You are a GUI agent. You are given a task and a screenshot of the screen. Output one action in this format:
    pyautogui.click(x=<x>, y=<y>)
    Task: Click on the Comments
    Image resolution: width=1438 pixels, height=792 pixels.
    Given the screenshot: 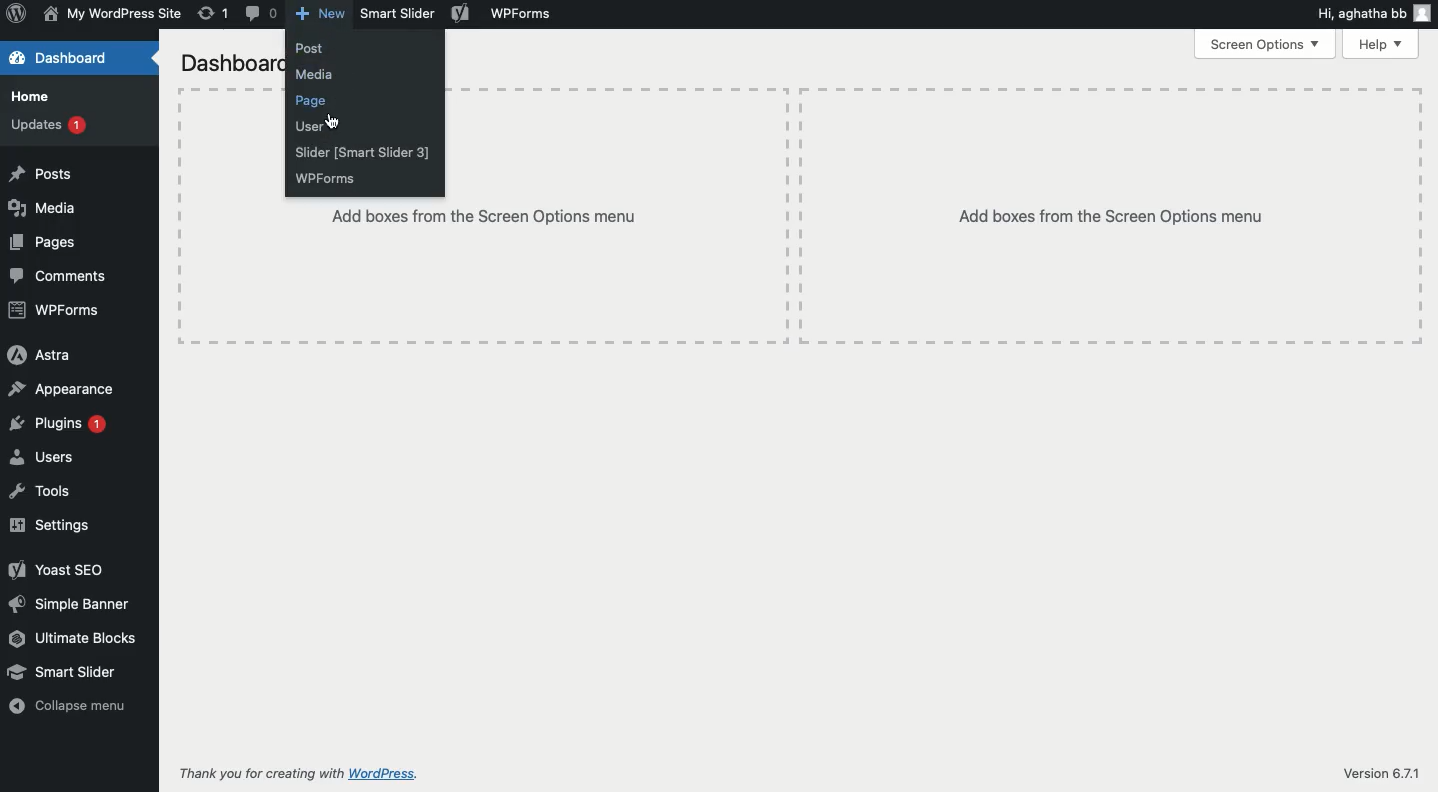 What is the action you would take?
    pyautogui.click(x=58, y=276)
    